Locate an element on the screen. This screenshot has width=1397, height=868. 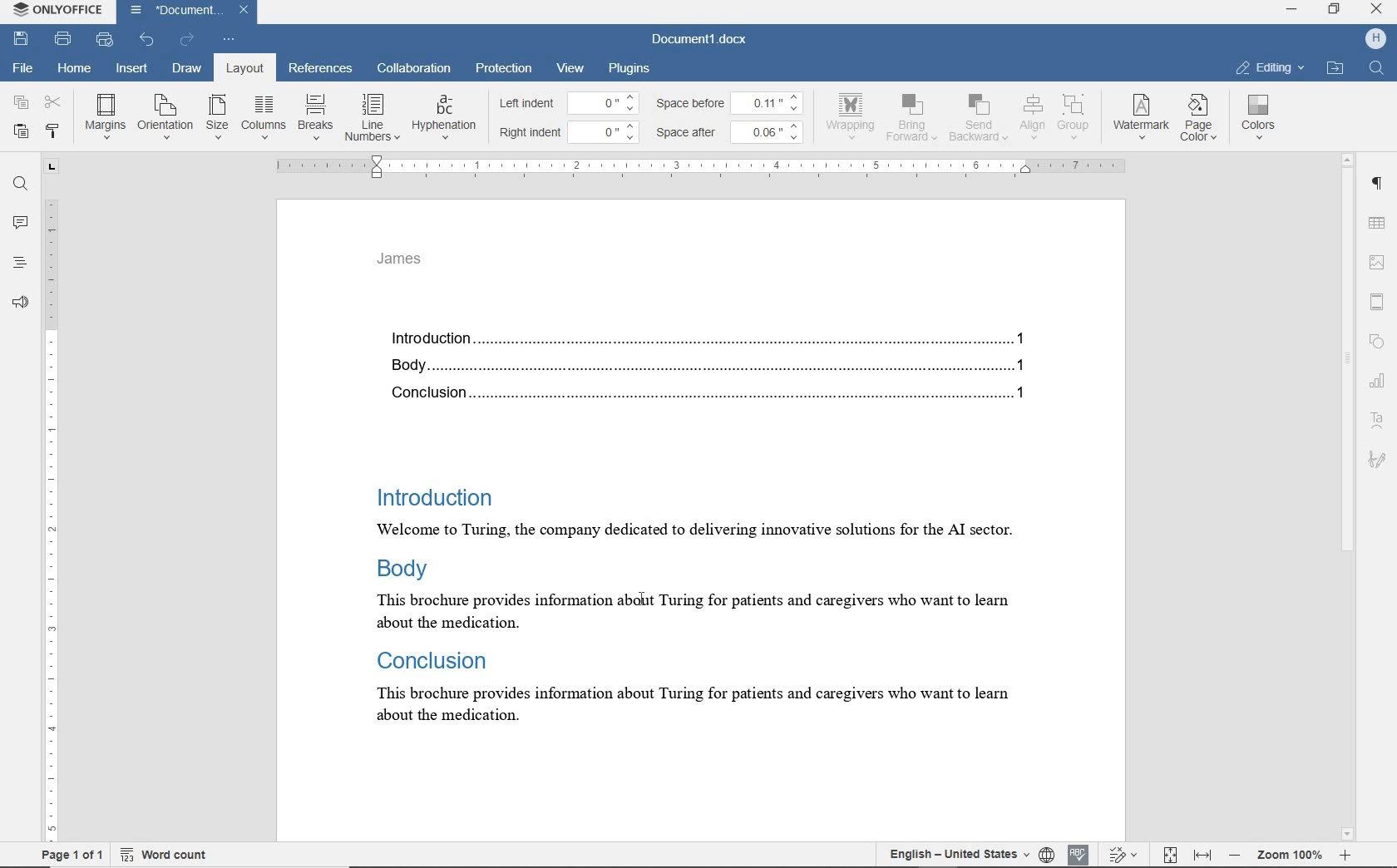
size is located at coordinates (217, 118).